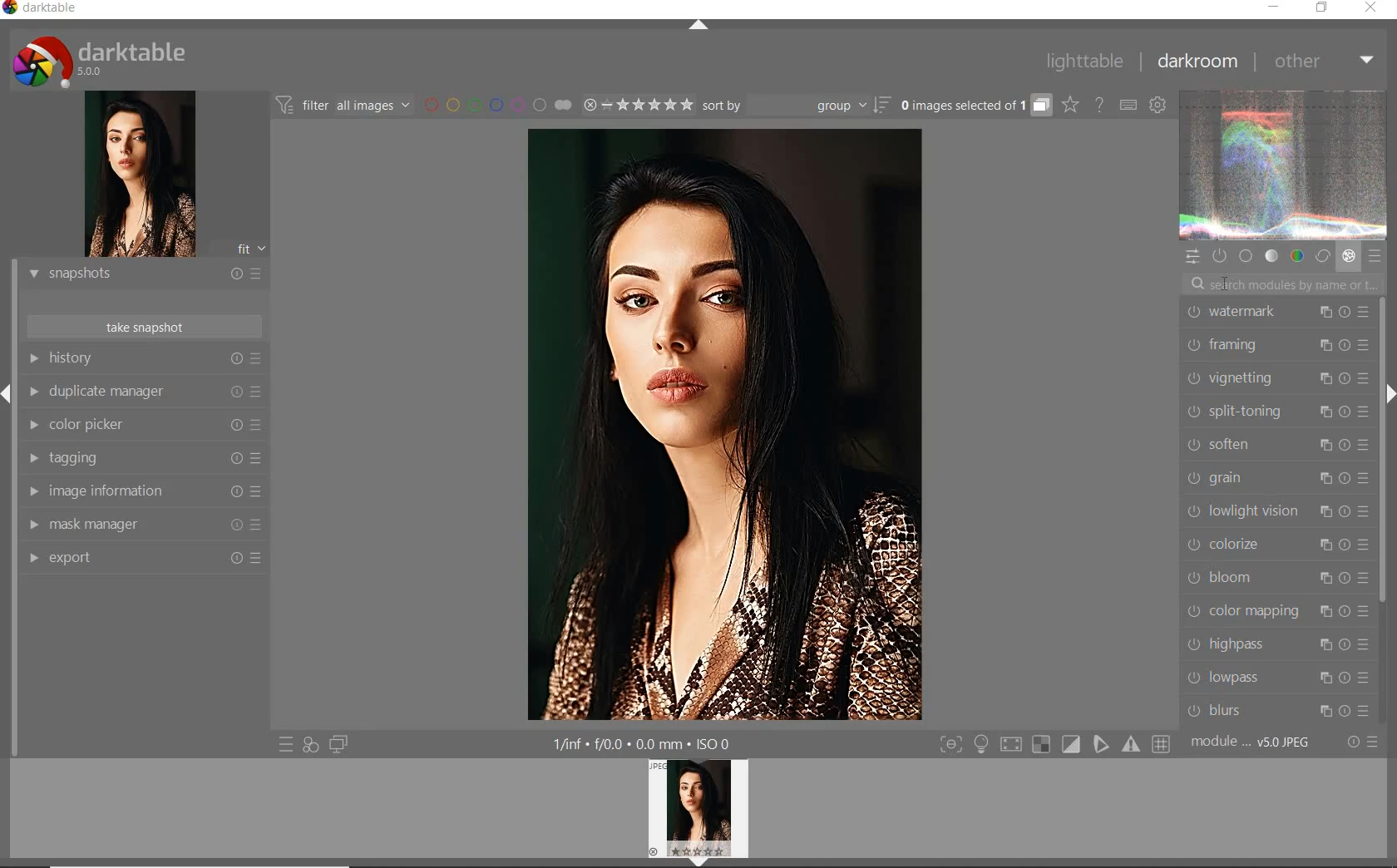  I want to click on COLOR MAPPING, so click(1276, 611).